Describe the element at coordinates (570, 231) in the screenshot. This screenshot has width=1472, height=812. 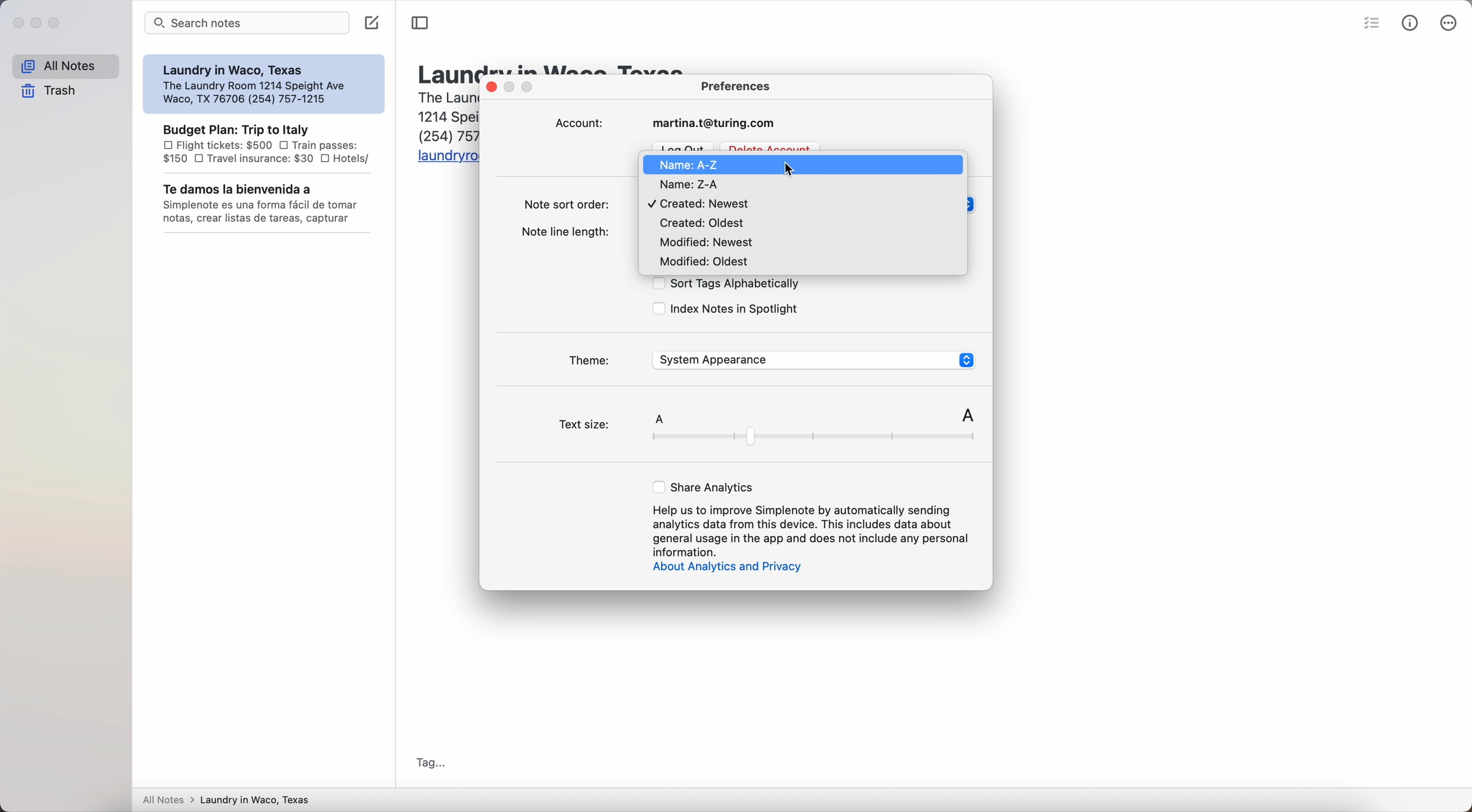
I see `note line length` at that location.